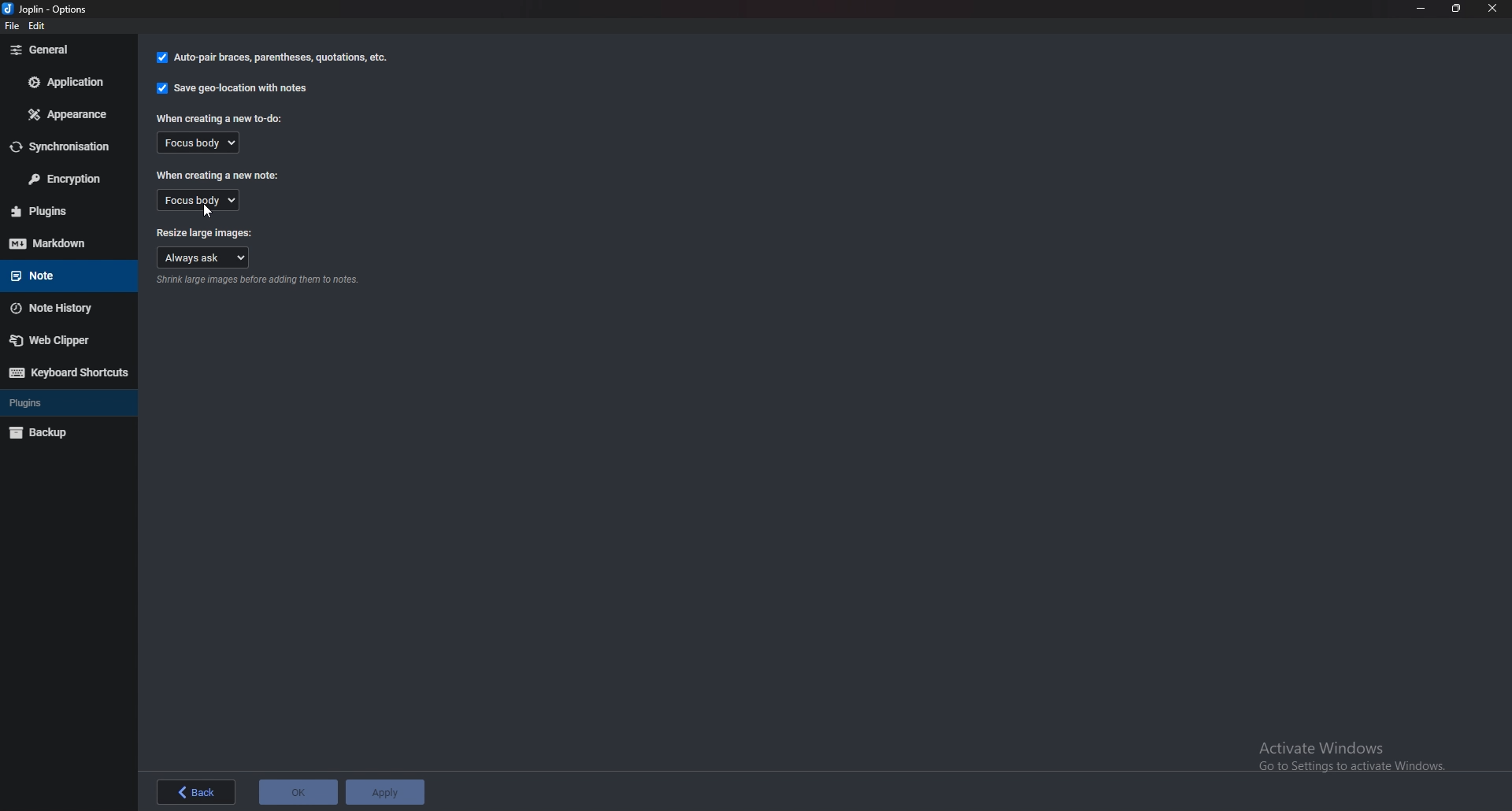 This screenshot has width=1512, height=811. I want to click on Note history, so click(61, 308).